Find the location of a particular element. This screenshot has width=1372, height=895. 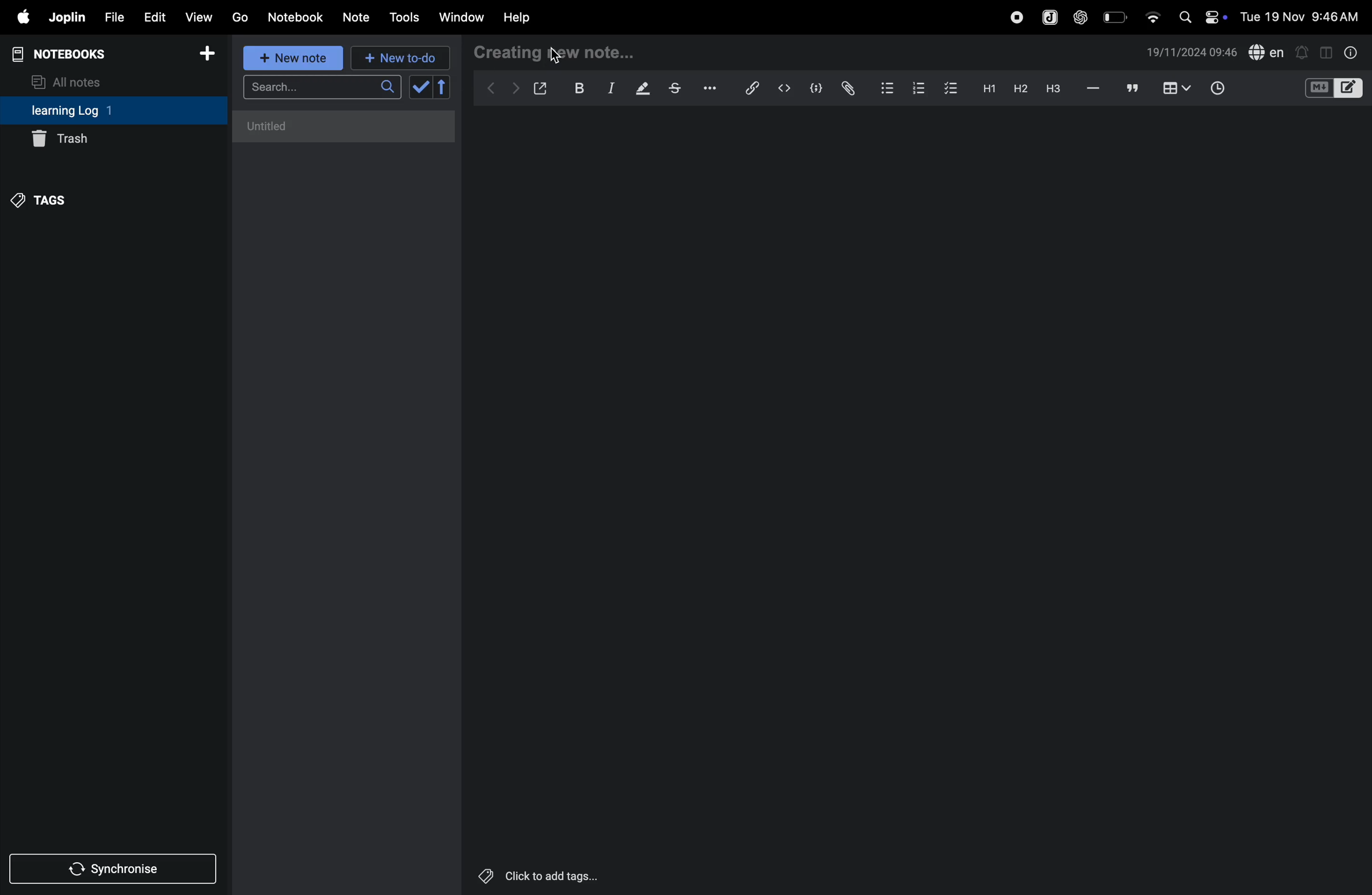

bullet list is located at coordinates (885, 87).